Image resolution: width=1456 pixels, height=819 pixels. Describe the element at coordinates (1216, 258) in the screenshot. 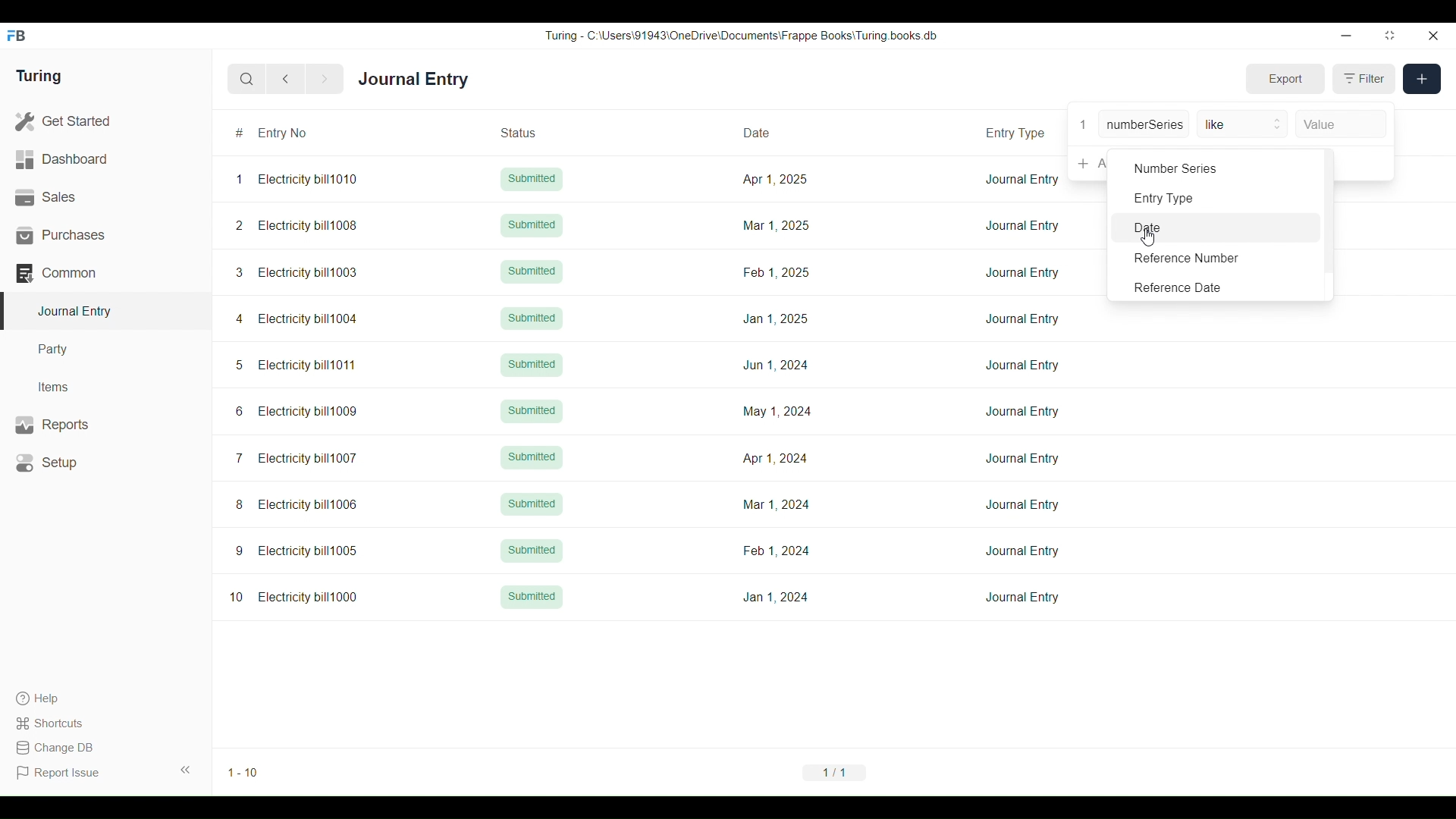

I see `Reference Number` at that location.